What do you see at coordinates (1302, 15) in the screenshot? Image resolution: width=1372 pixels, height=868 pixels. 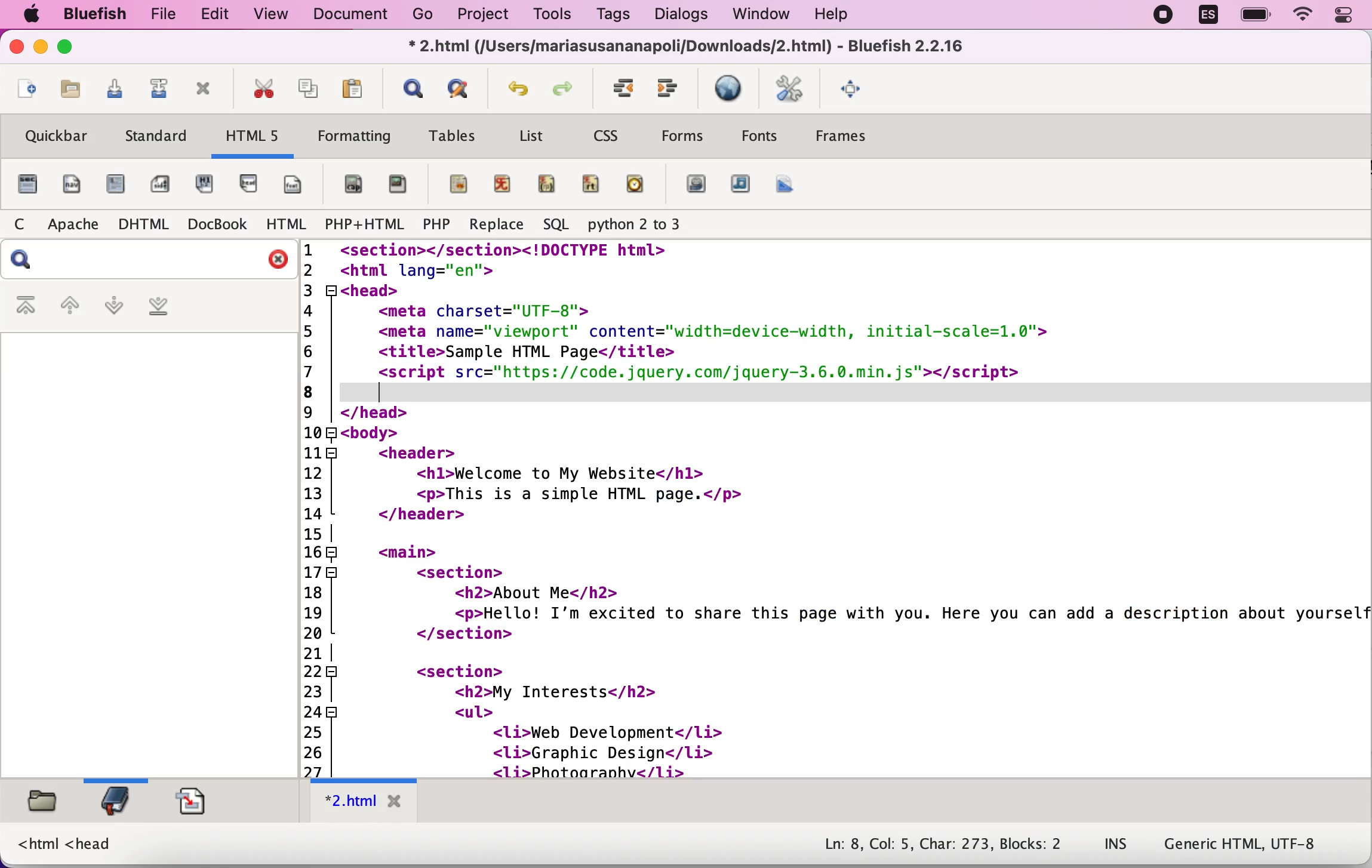 I see `wifi` at bounding box center [1302, 15].